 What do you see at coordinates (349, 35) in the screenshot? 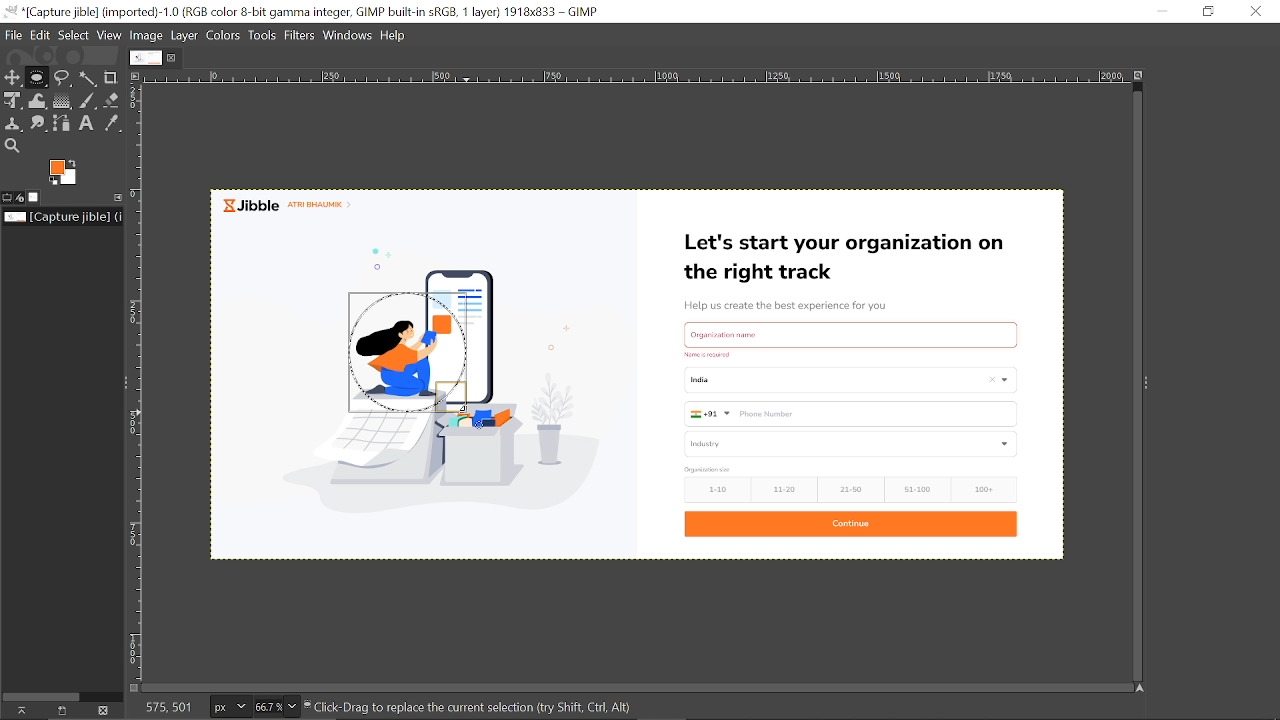
I see `Windows` at bounding box center [349, 35].